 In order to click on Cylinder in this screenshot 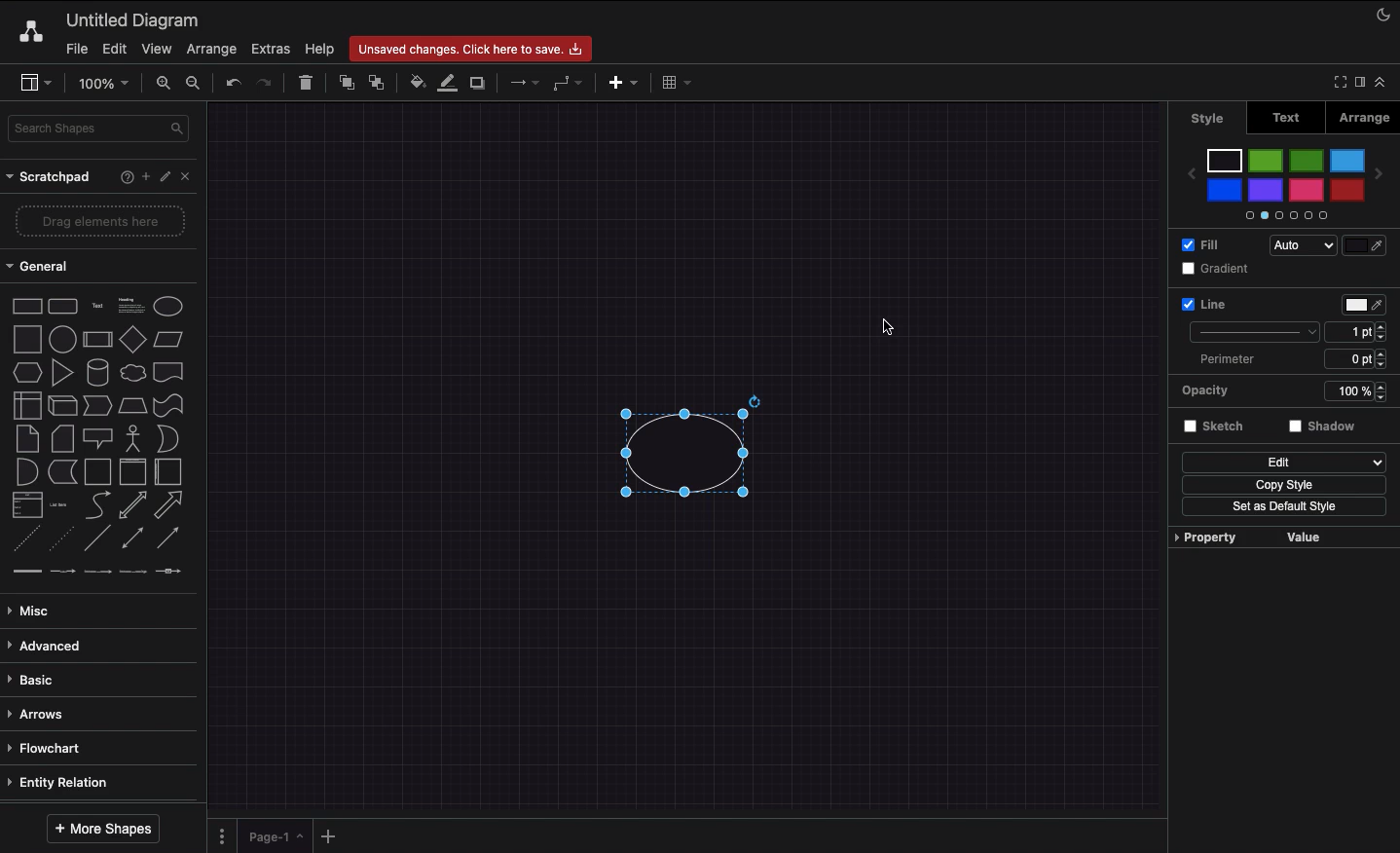, I will do `click(97, 373)`.